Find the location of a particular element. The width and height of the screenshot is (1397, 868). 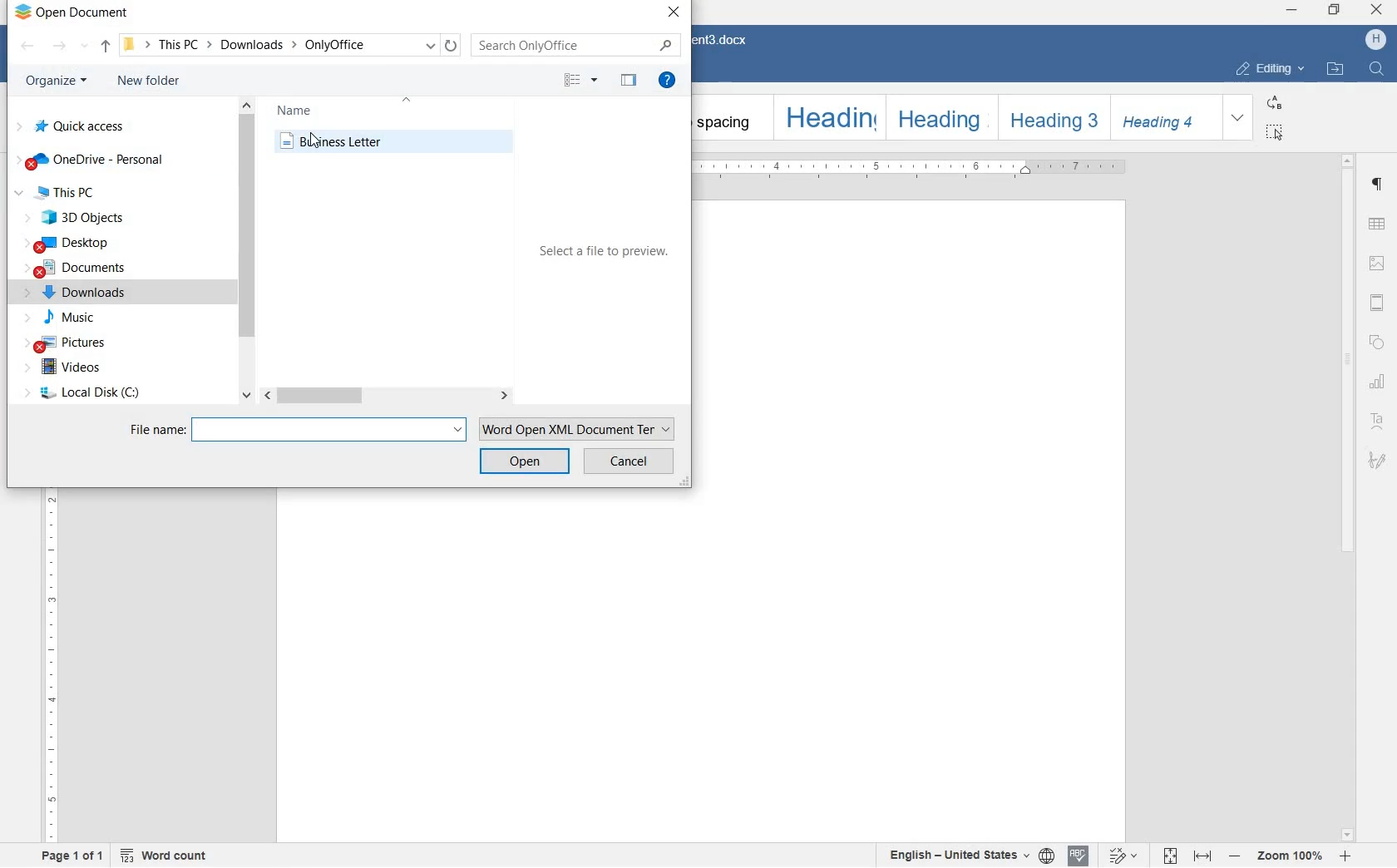

help is located at coordinates (667, 83).